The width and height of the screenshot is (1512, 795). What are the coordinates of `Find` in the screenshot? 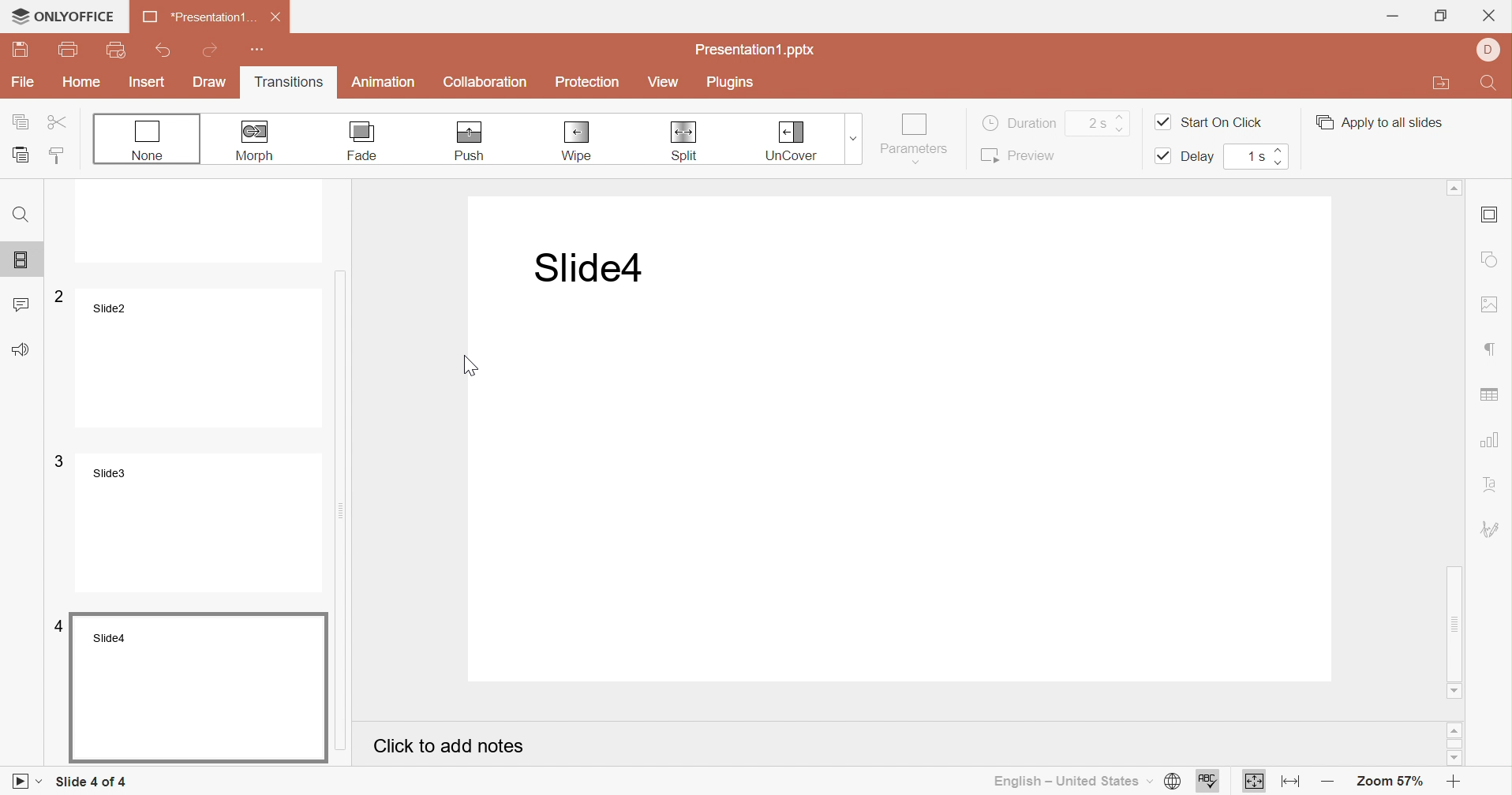 It's located at (1491, 85).